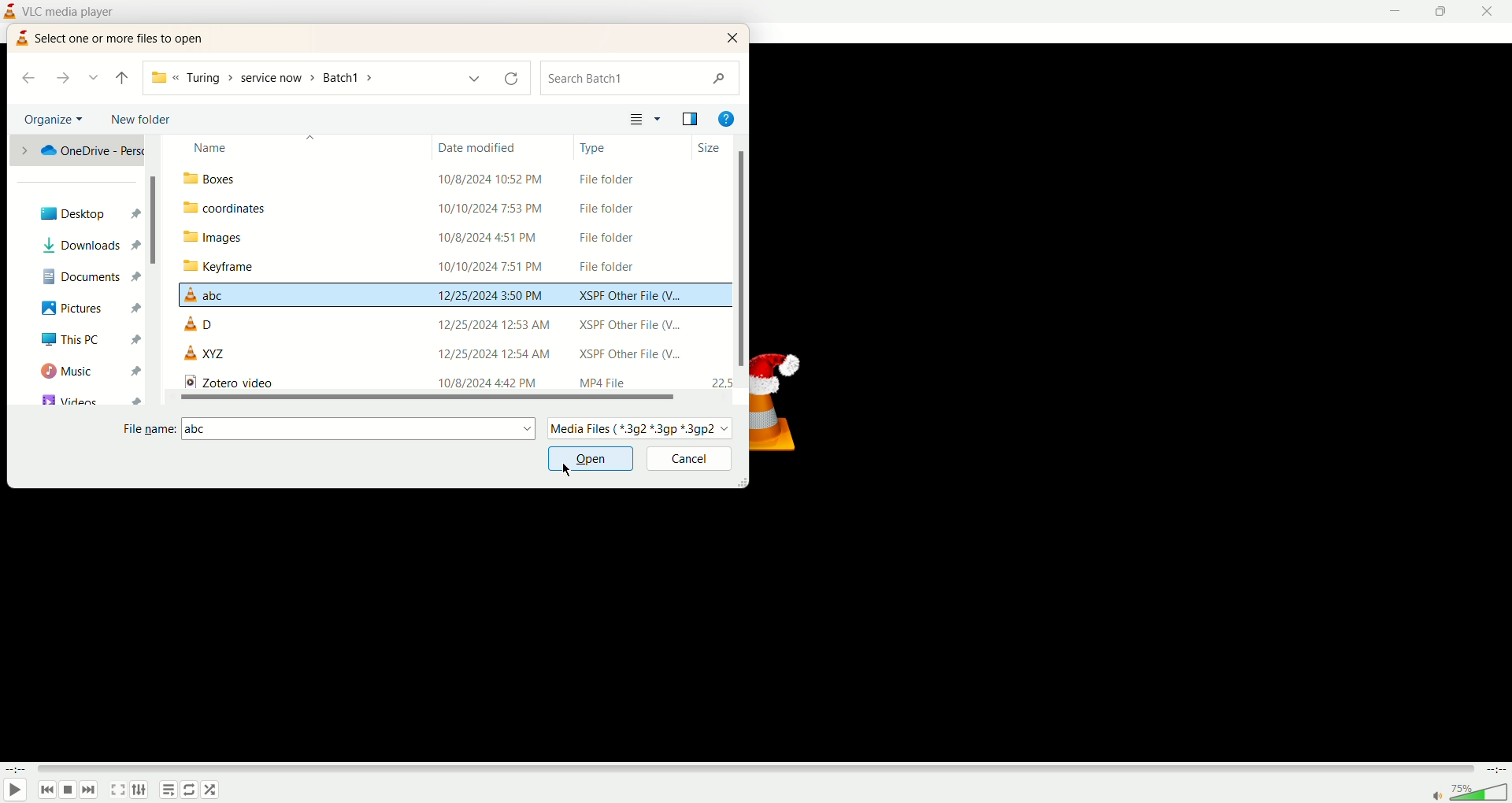 The height and width of the screenshot is (803, 1512). Describe the element at coordinates (87, 309) in the screenshot. I see `pictures` at that location.